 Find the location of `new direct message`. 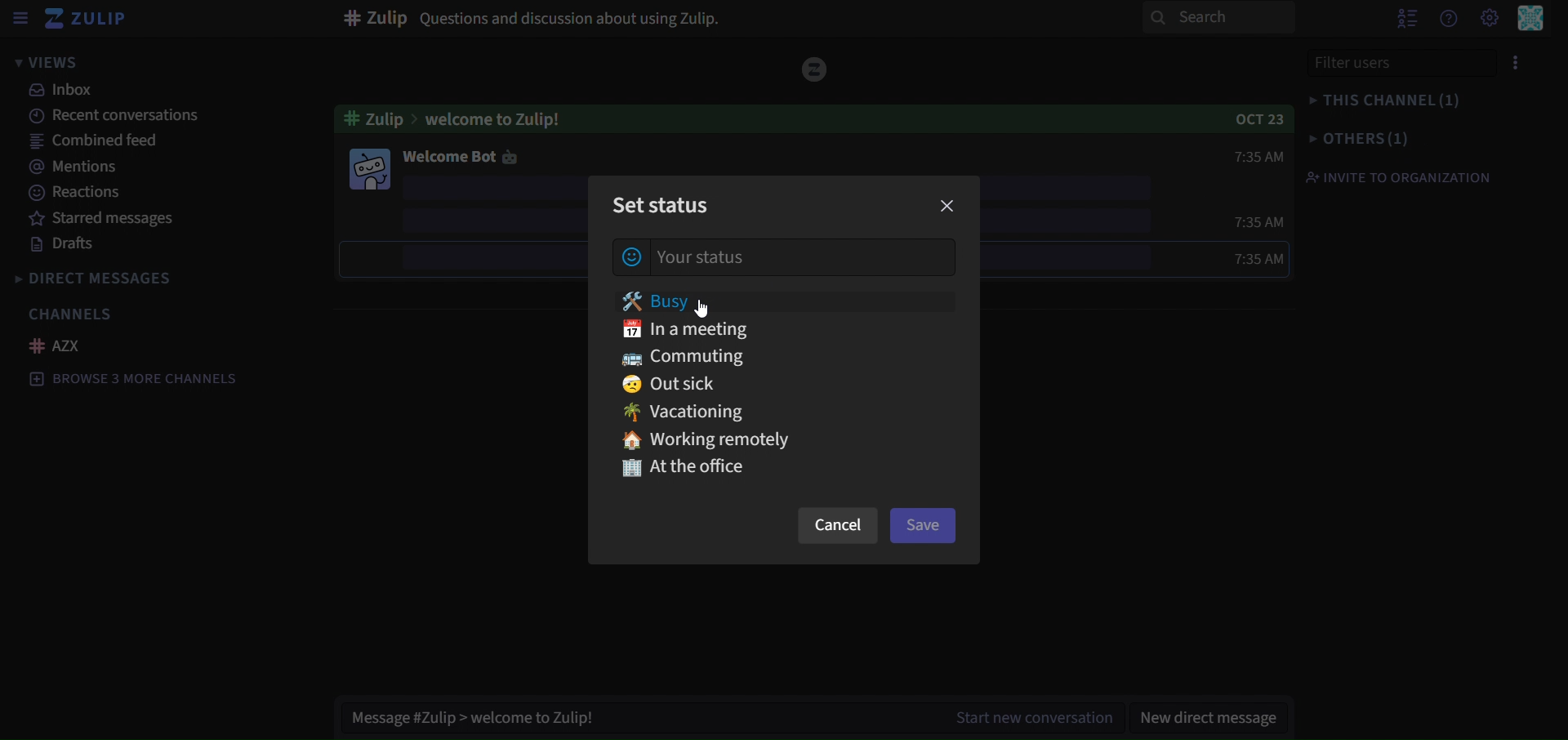

new direct message is located at coordinates (1214, 708).